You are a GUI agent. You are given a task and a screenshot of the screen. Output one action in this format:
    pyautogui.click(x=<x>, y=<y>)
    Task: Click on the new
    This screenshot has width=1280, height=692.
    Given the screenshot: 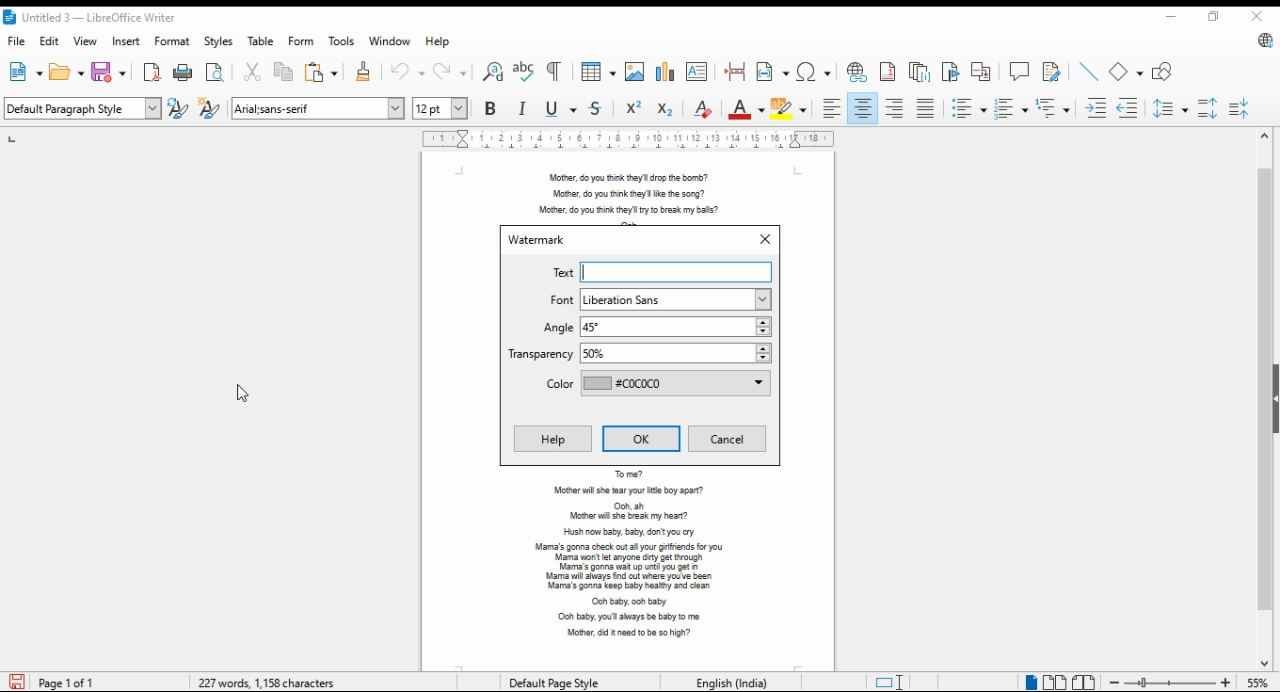 What is the action you would take?
    pyautogui.click(x=24, y=72)
    